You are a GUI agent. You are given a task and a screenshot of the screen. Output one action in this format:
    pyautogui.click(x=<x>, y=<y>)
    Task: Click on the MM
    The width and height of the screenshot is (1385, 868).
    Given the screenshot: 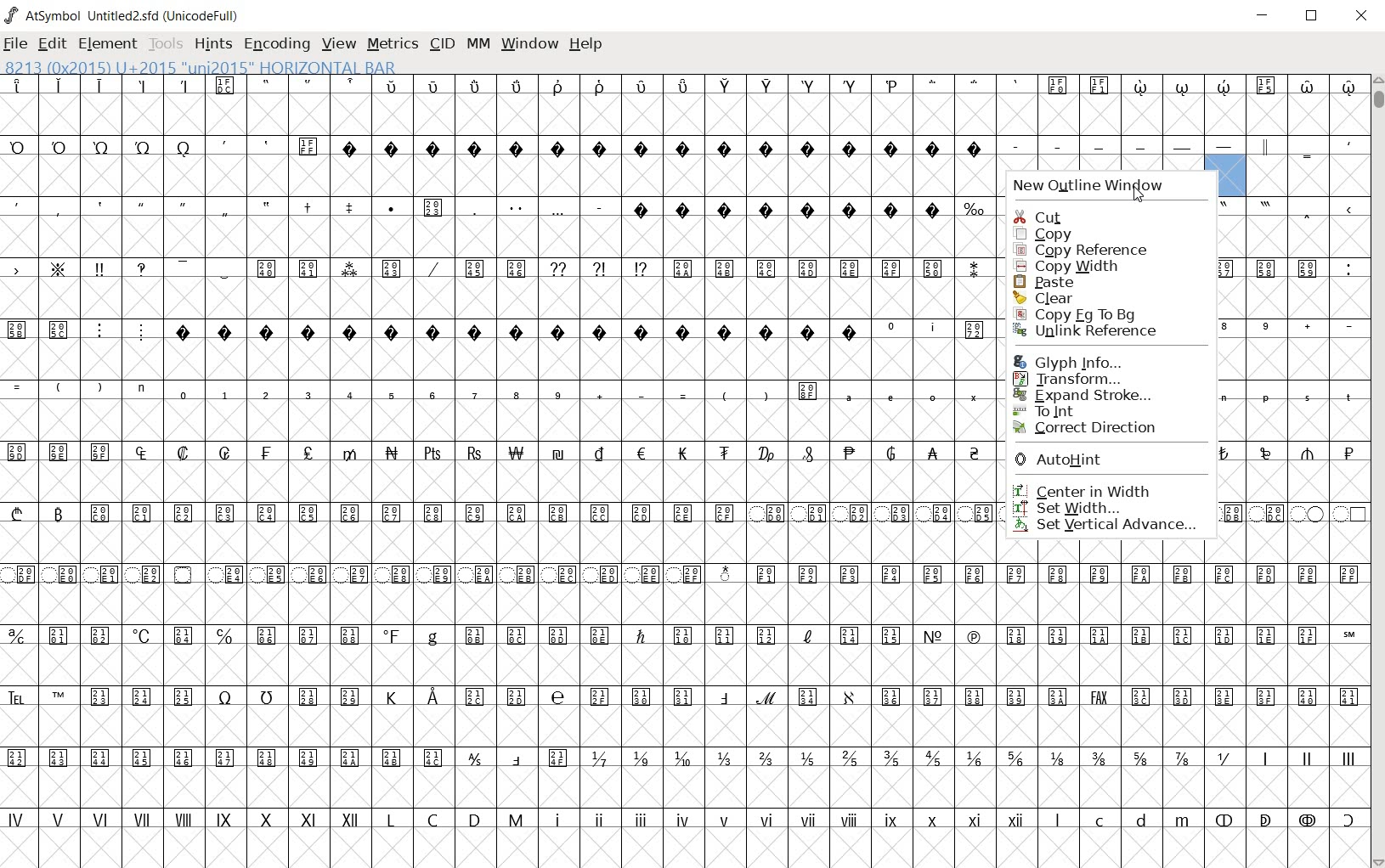 What is the action you would take?
    pyautogui.click(x=479, y=45)
    